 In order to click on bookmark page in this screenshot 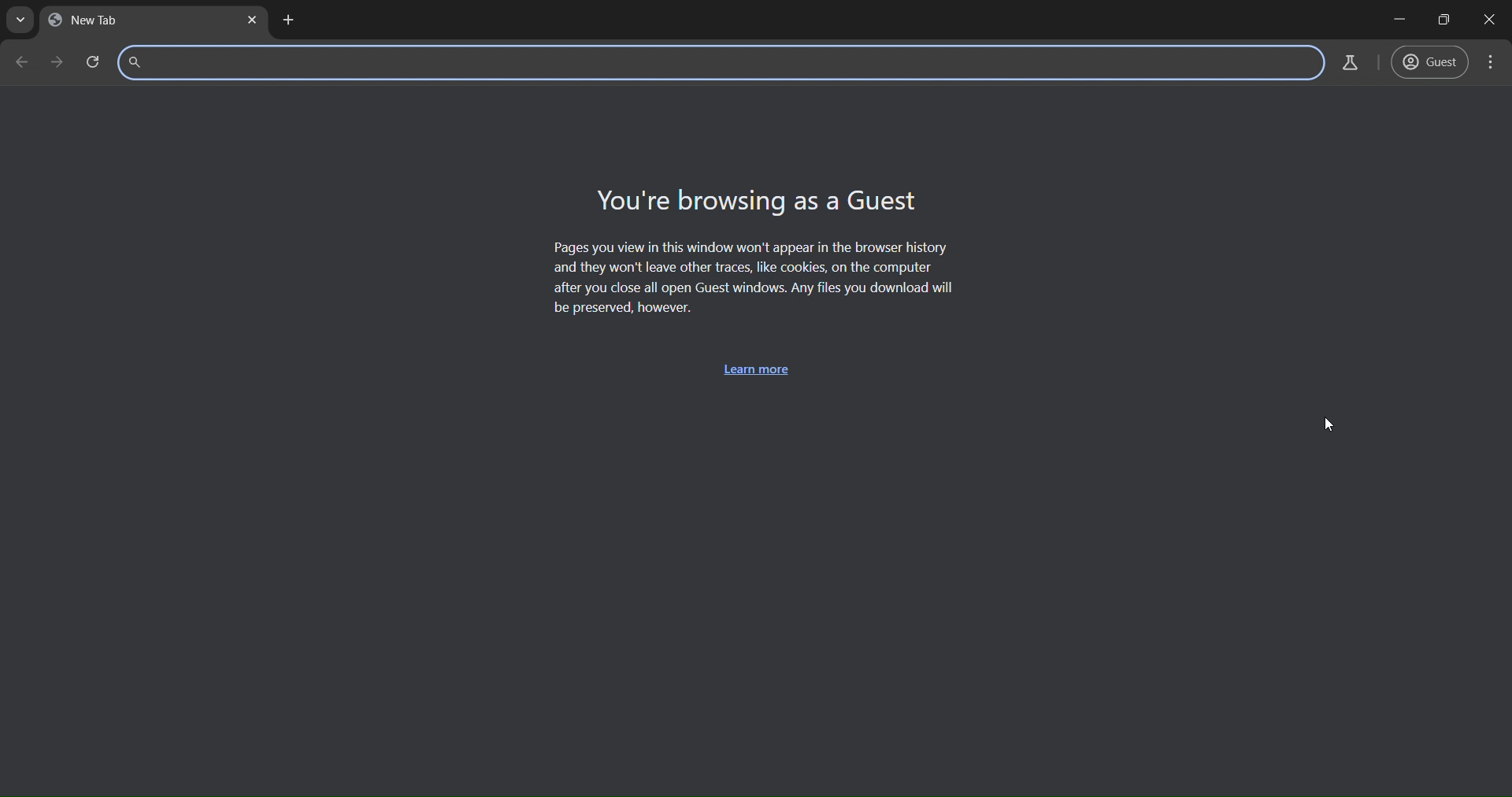, I will do `click(1351, 63)`.